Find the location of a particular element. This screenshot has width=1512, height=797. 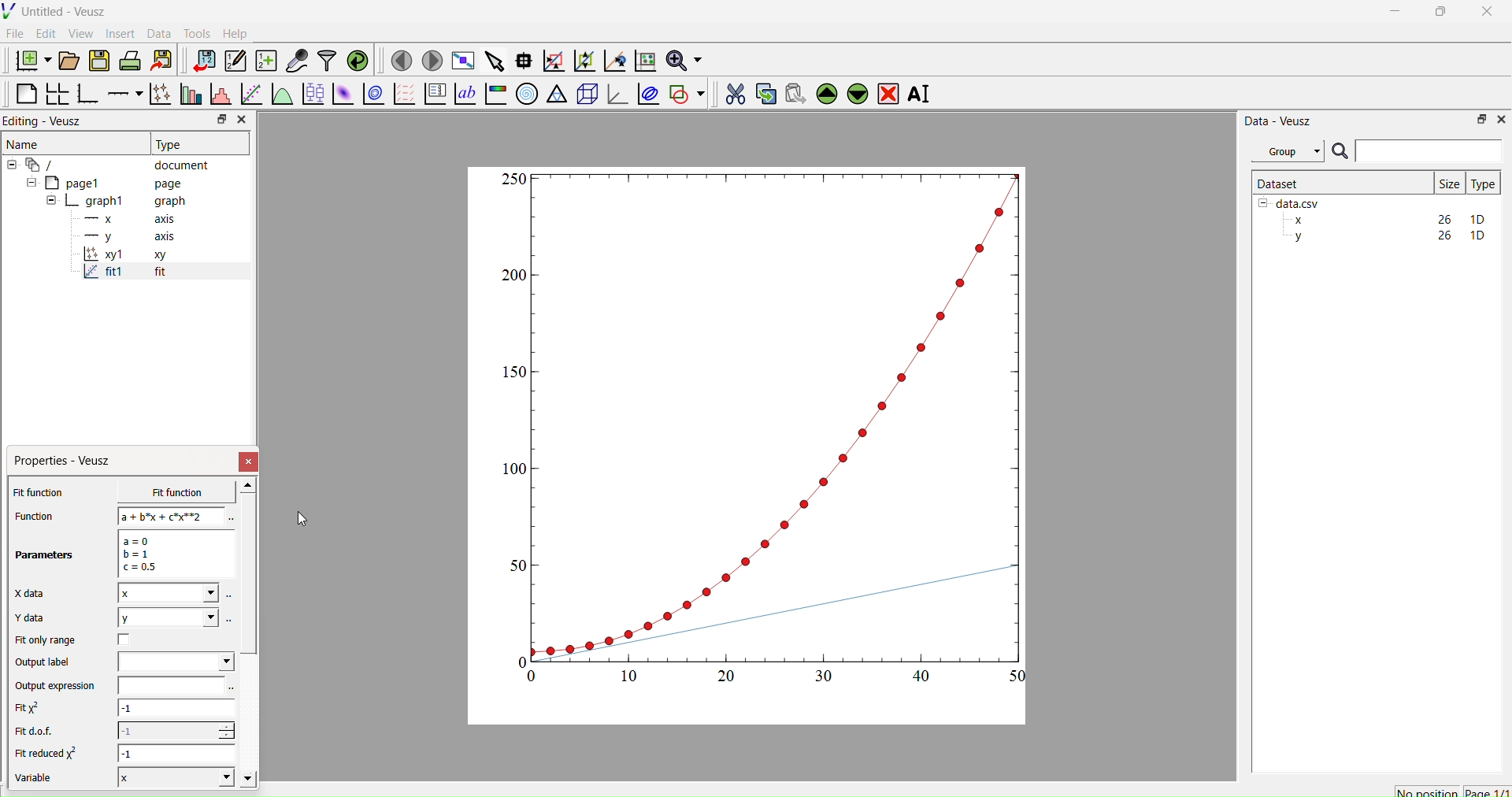

Edit or enter new dataset is located at coordinates (233, 61).